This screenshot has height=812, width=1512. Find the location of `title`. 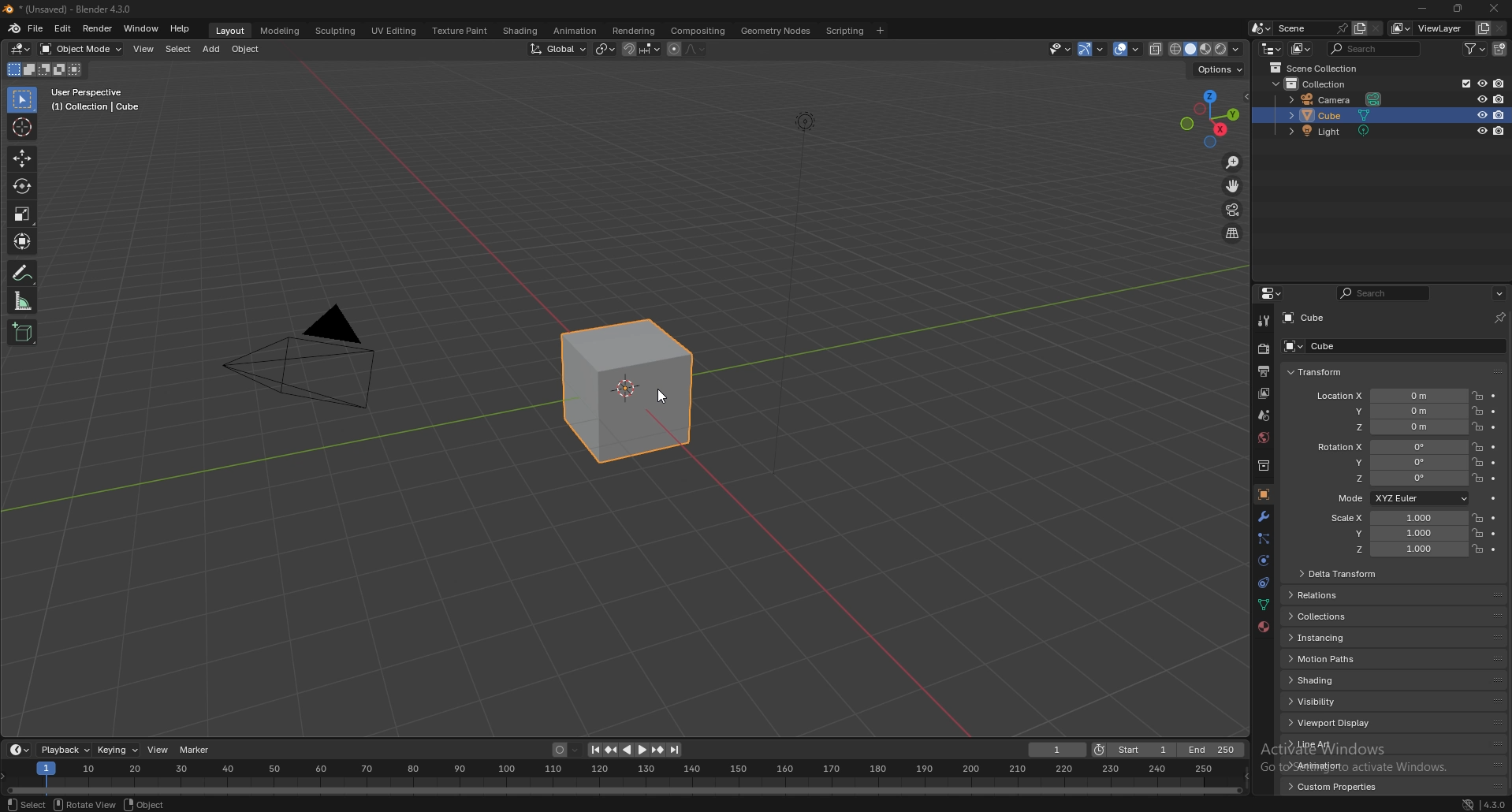

title is located at coordinates (71, 9).